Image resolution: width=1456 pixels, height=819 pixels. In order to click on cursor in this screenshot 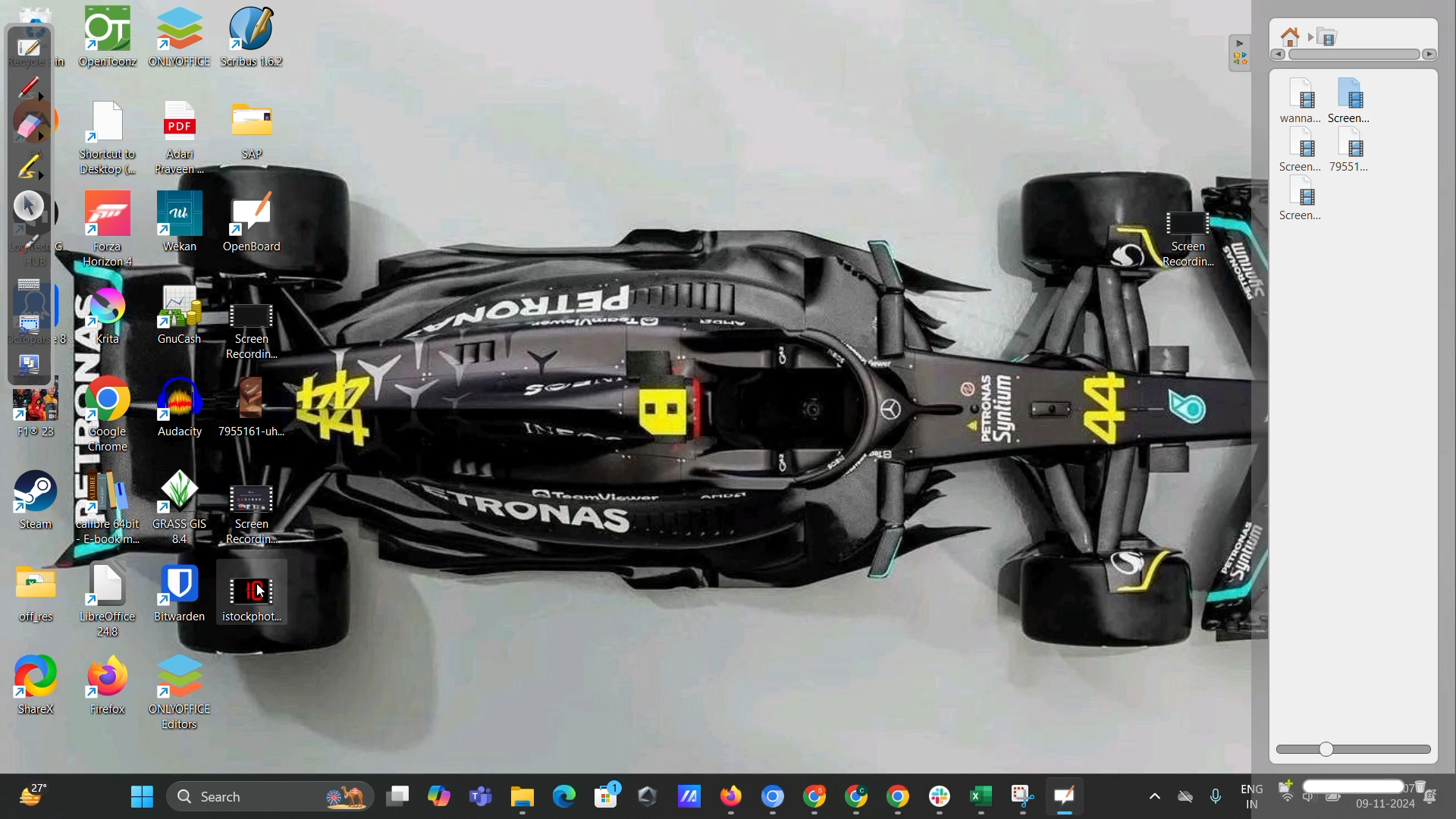, I will do `click(262, 590)`.